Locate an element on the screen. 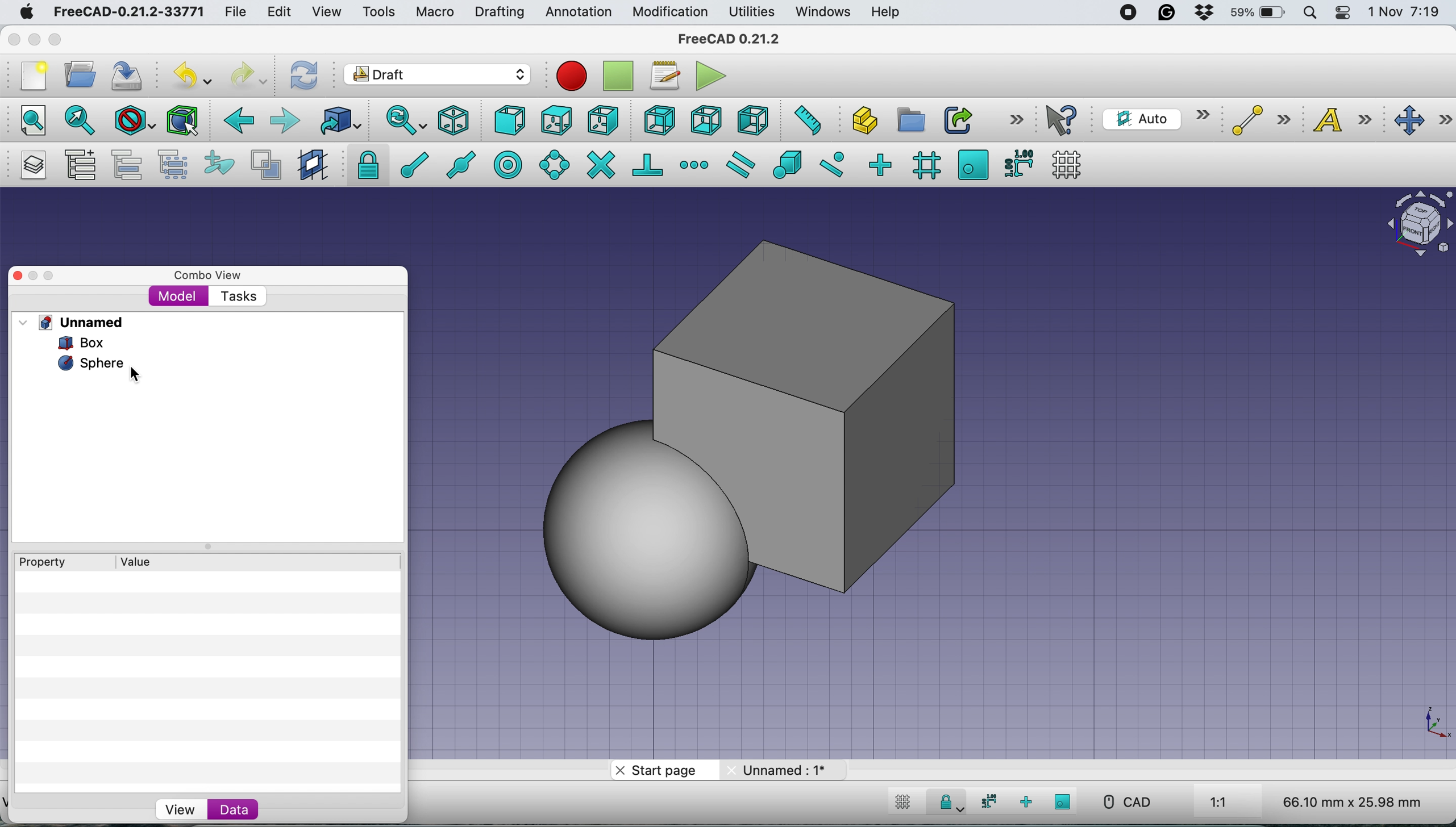 The image size is (1456, 827). record macros is located at coordinates (572, 76).